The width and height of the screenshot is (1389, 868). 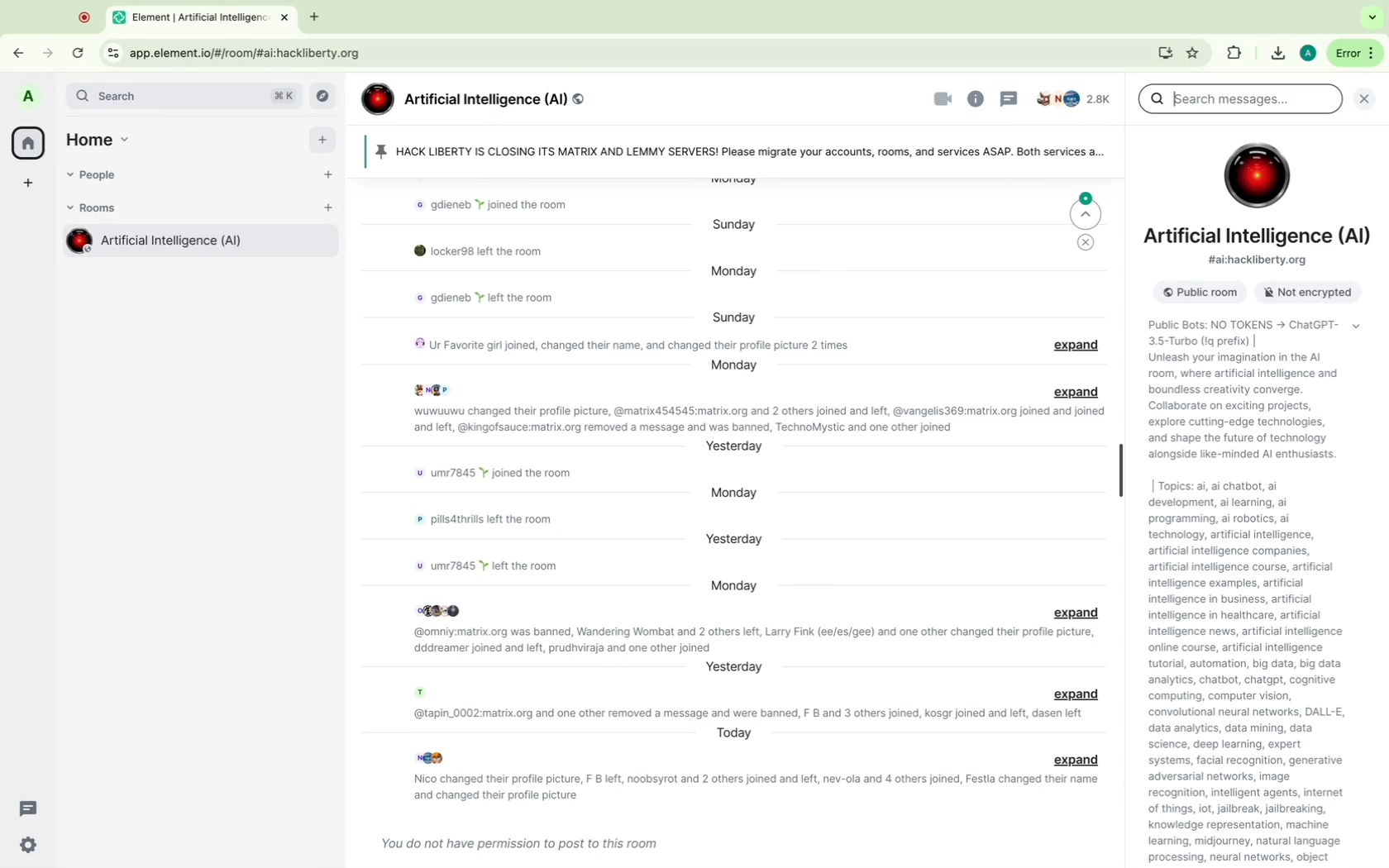 What do you see at coordinates (1276, 54) in the screenshot?
I see `download` at bounding box center [1276, 54].